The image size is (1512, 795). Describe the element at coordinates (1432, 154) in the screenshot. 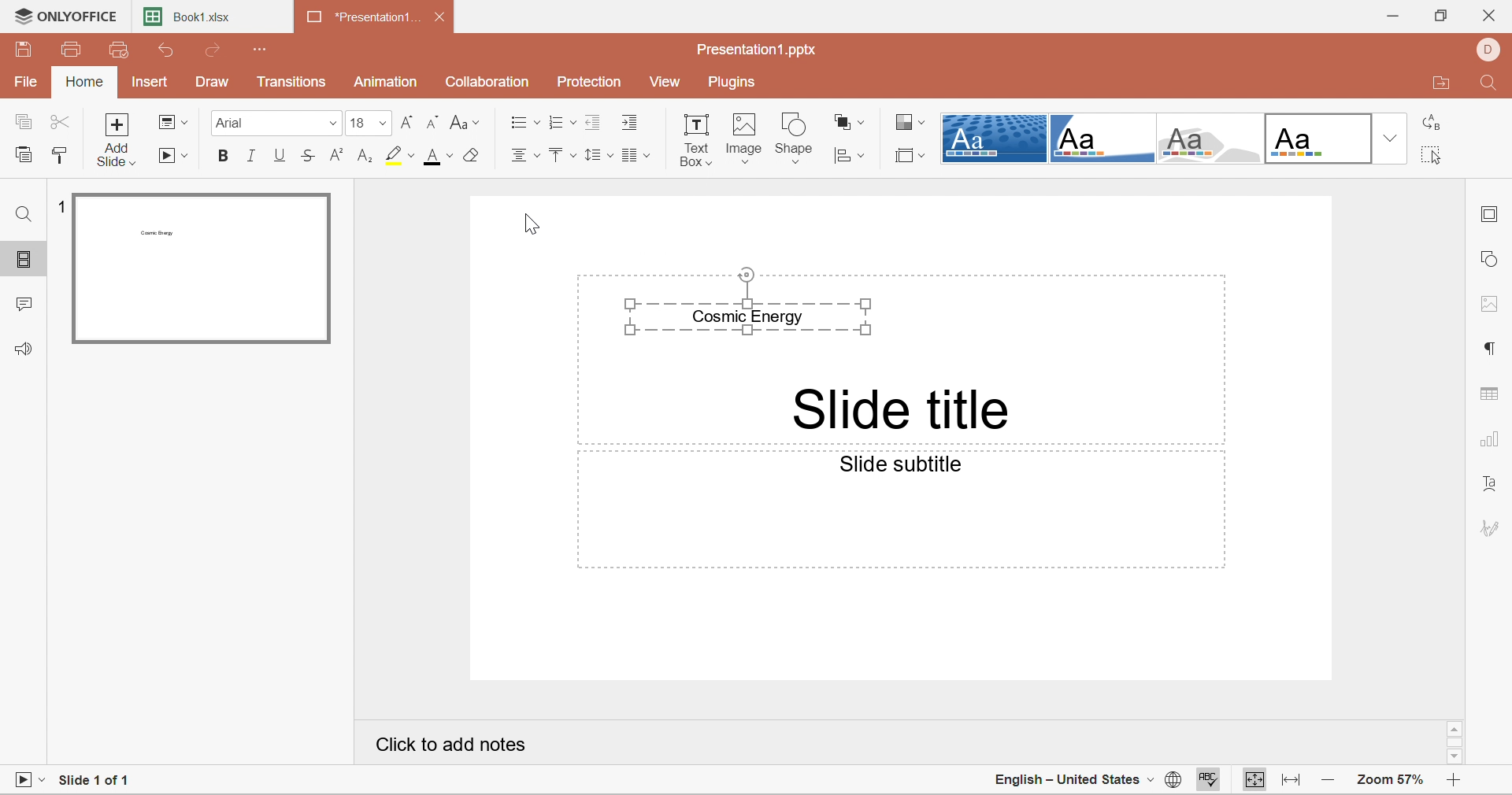

I see `Select all` at that location.